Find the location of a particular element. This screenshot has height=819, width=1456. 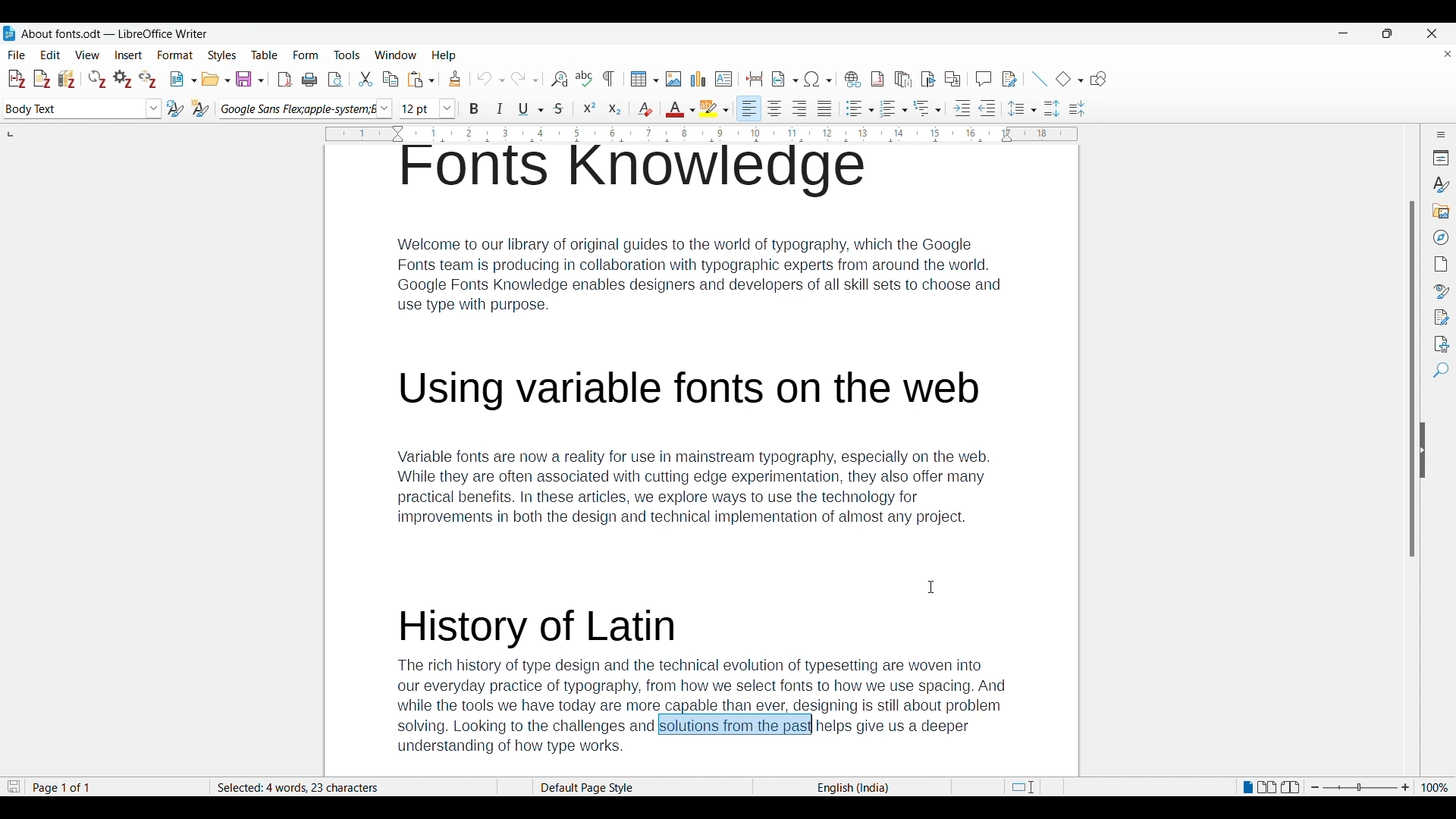

Undo is located at coordinates (491, 79).